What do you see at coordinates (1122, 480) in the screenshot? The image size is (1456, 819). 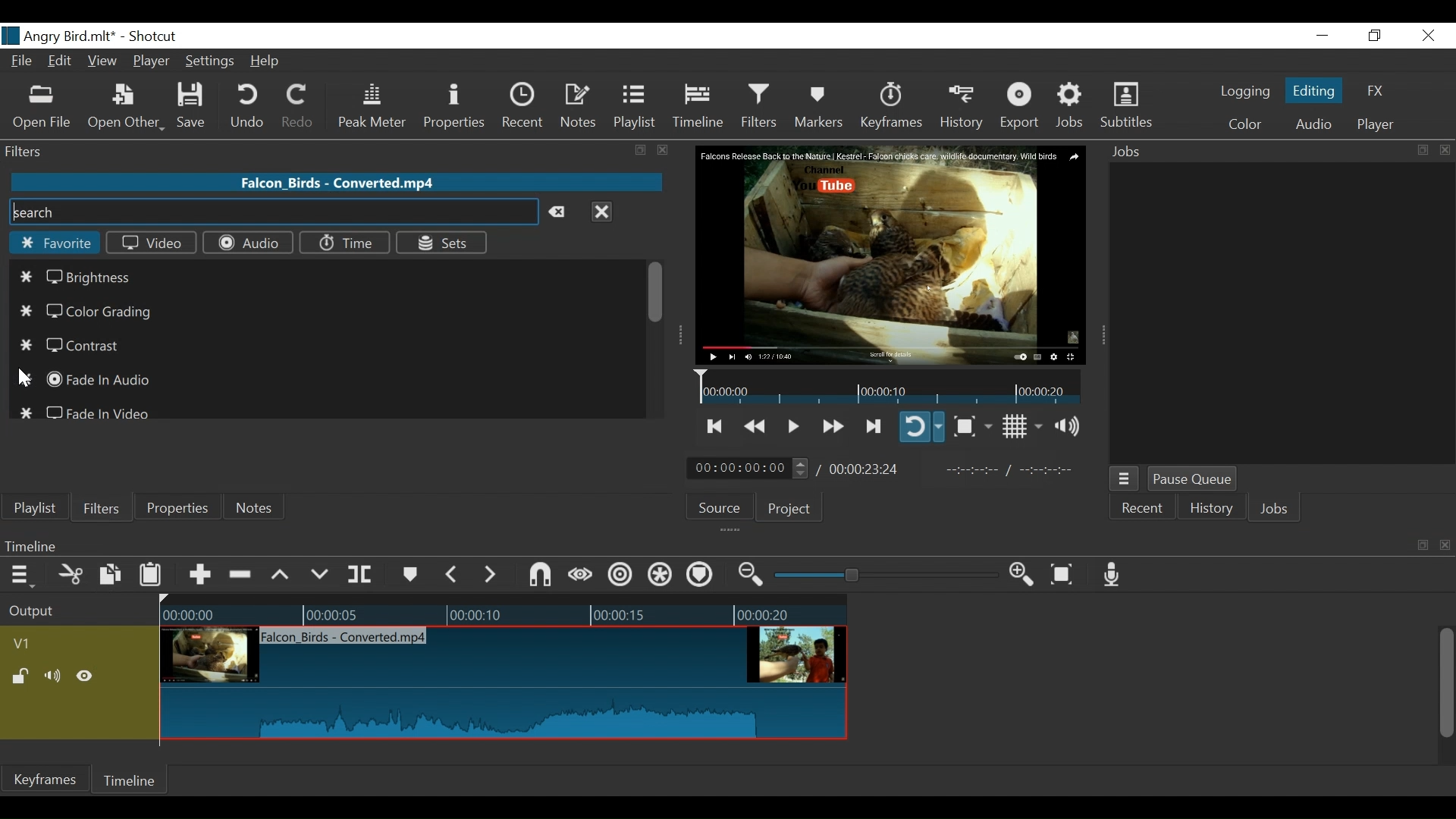 I see `Jobs Menu` at bounding box center [1122, 480].